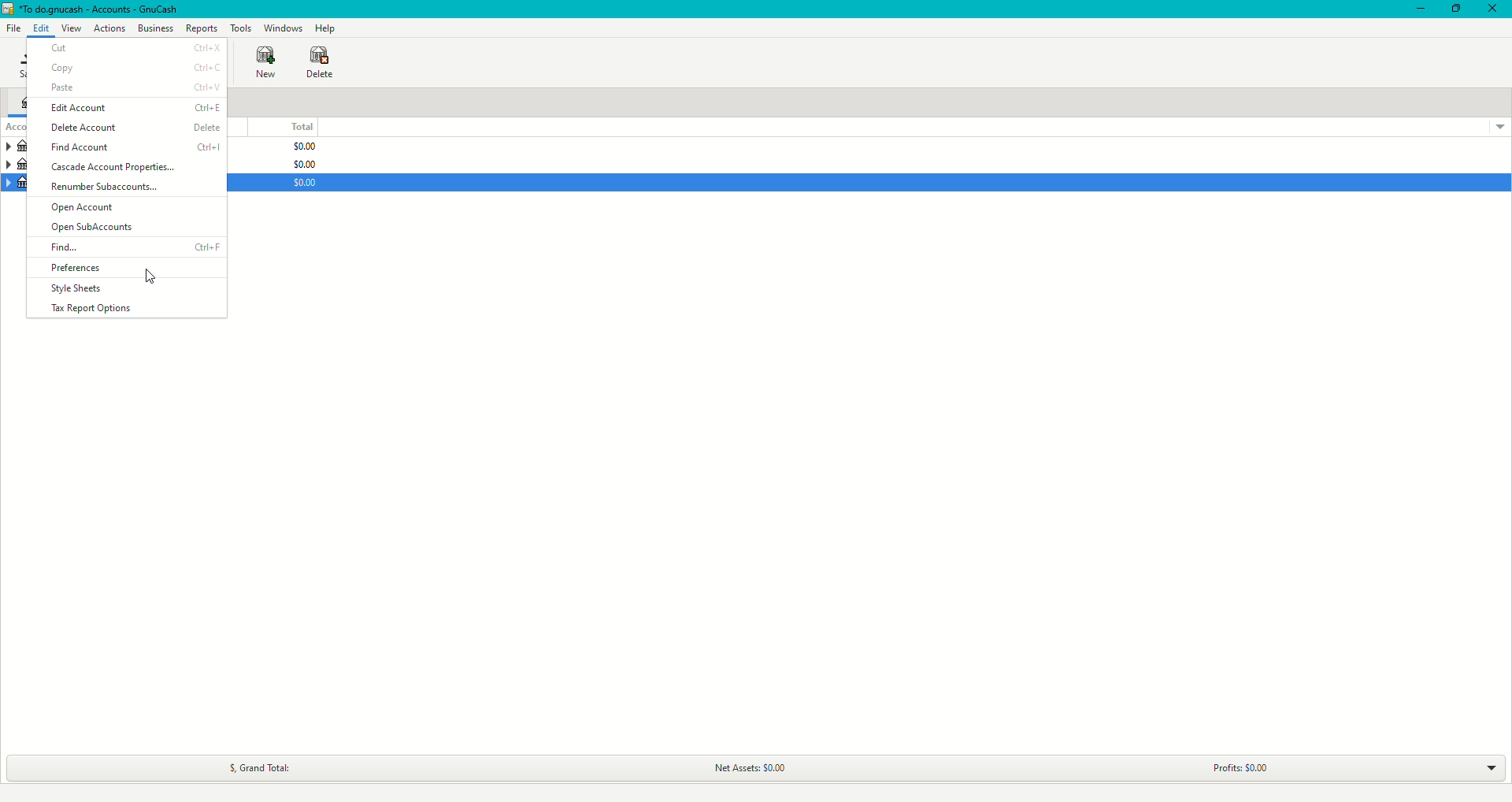 The width and height of the screenshot is (1512, 802). Describe the element at coordinates (203, 28) in the screenshot. I see `Reports` at that location.